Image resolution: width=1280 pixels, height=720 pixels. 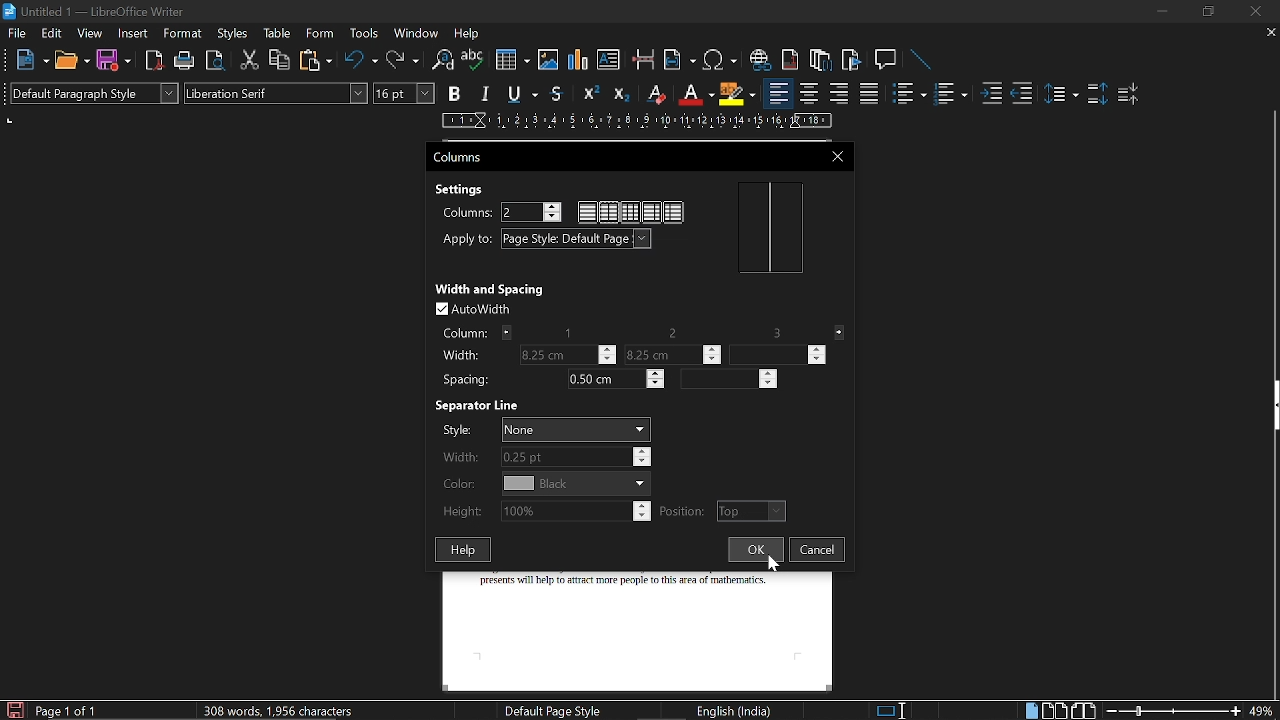 What do you see at coordinates (473, 59) in the screenshot?
I see `Spell check` at bounding box center [473, 59].